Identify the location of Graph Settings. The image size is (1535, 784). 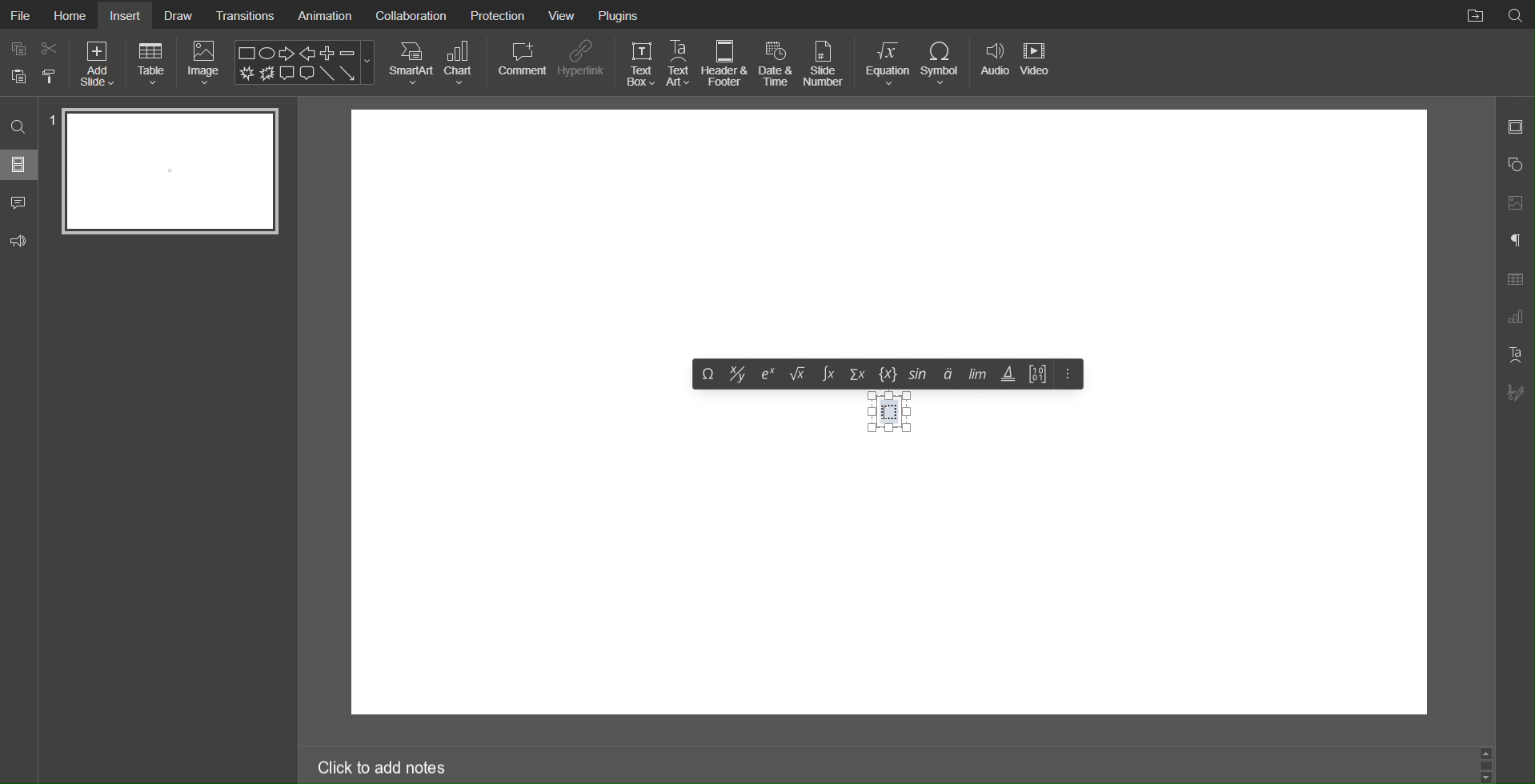
(1514, 318).